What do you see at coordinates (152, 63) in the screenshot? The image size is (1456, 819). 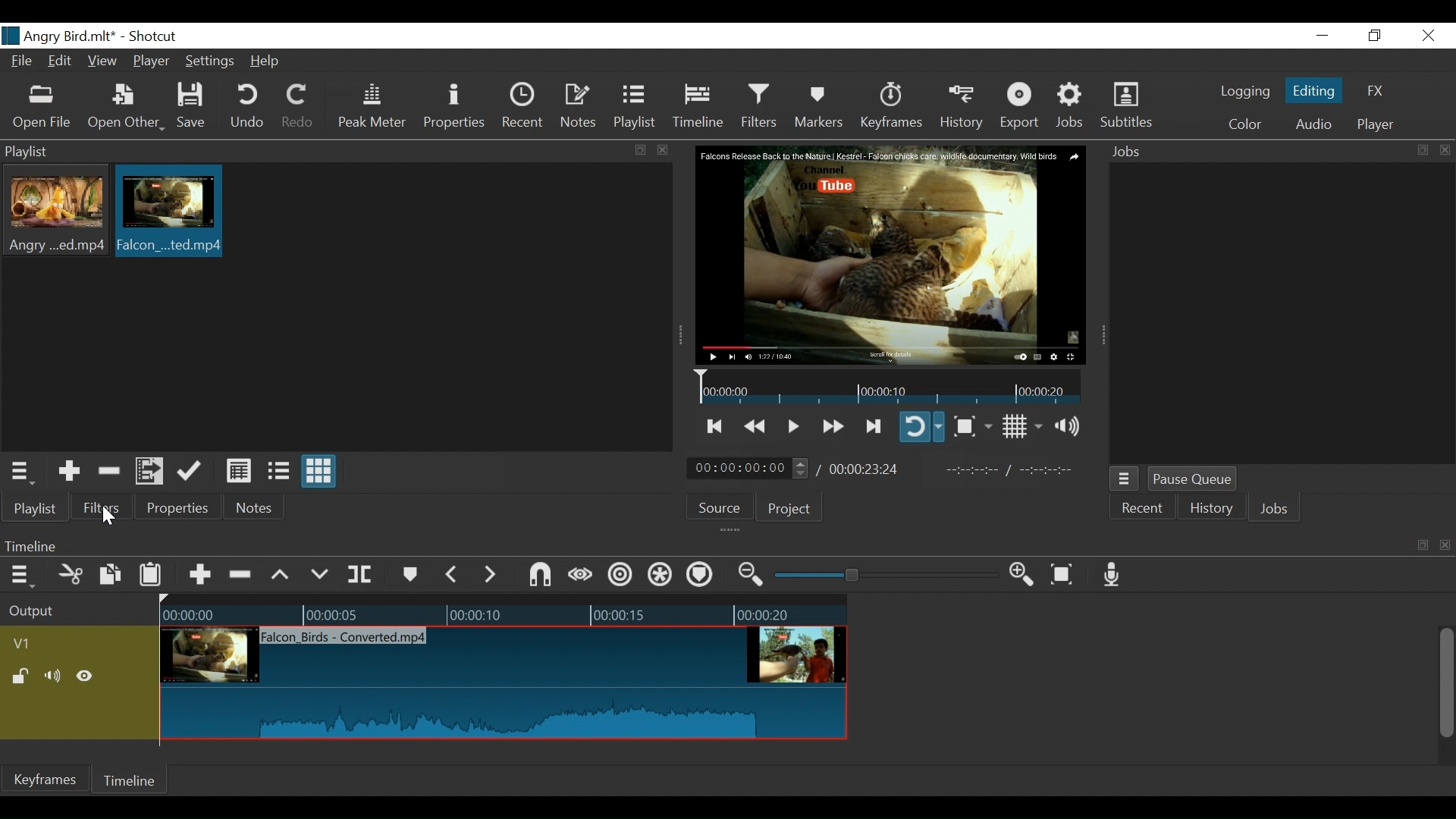 I see `Player` at bounding box center [152, 63].